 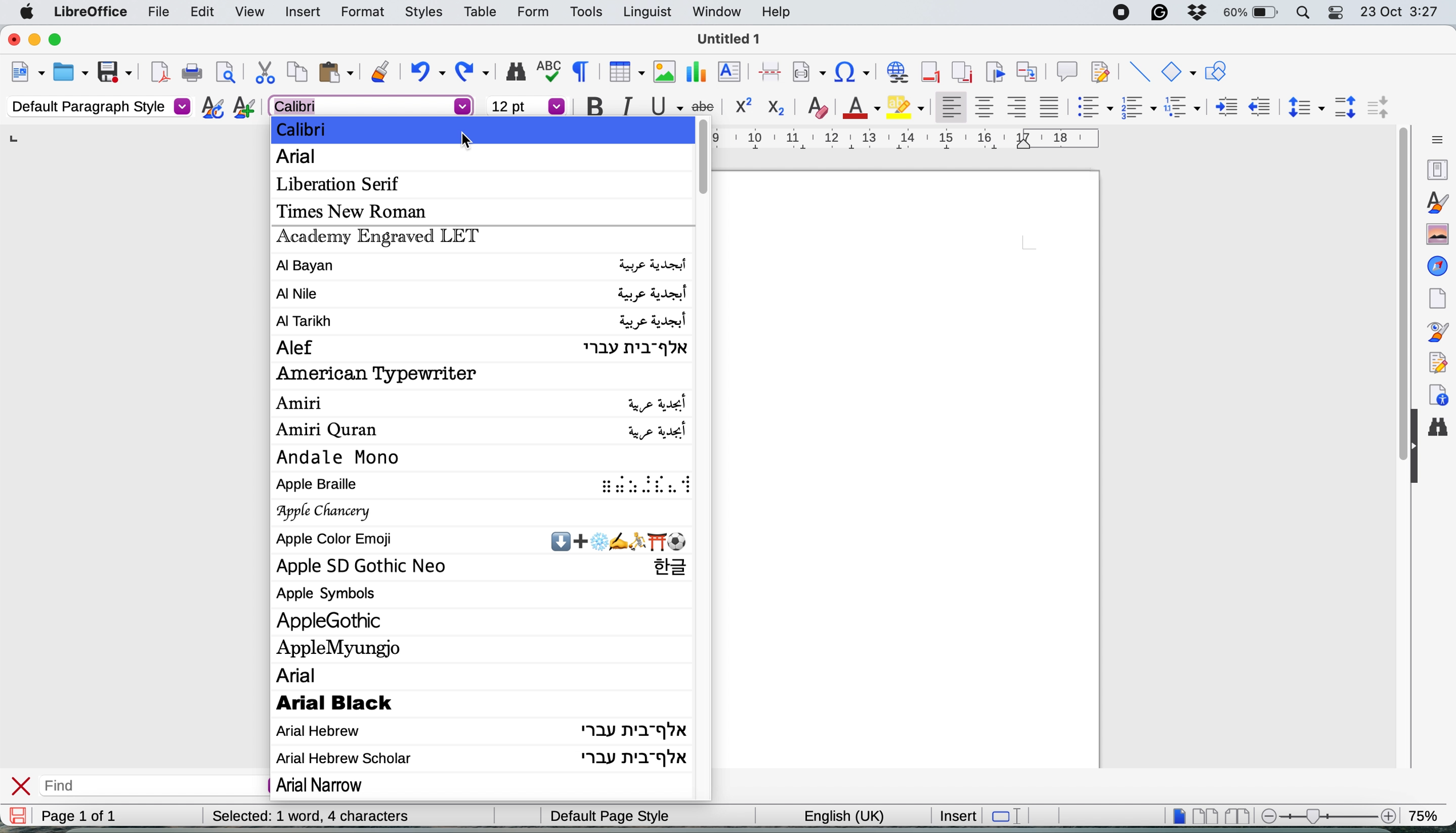 What do you see at coordinates (251, 11) in the screenshot?
I see `view` at bounding box center [251, 11].